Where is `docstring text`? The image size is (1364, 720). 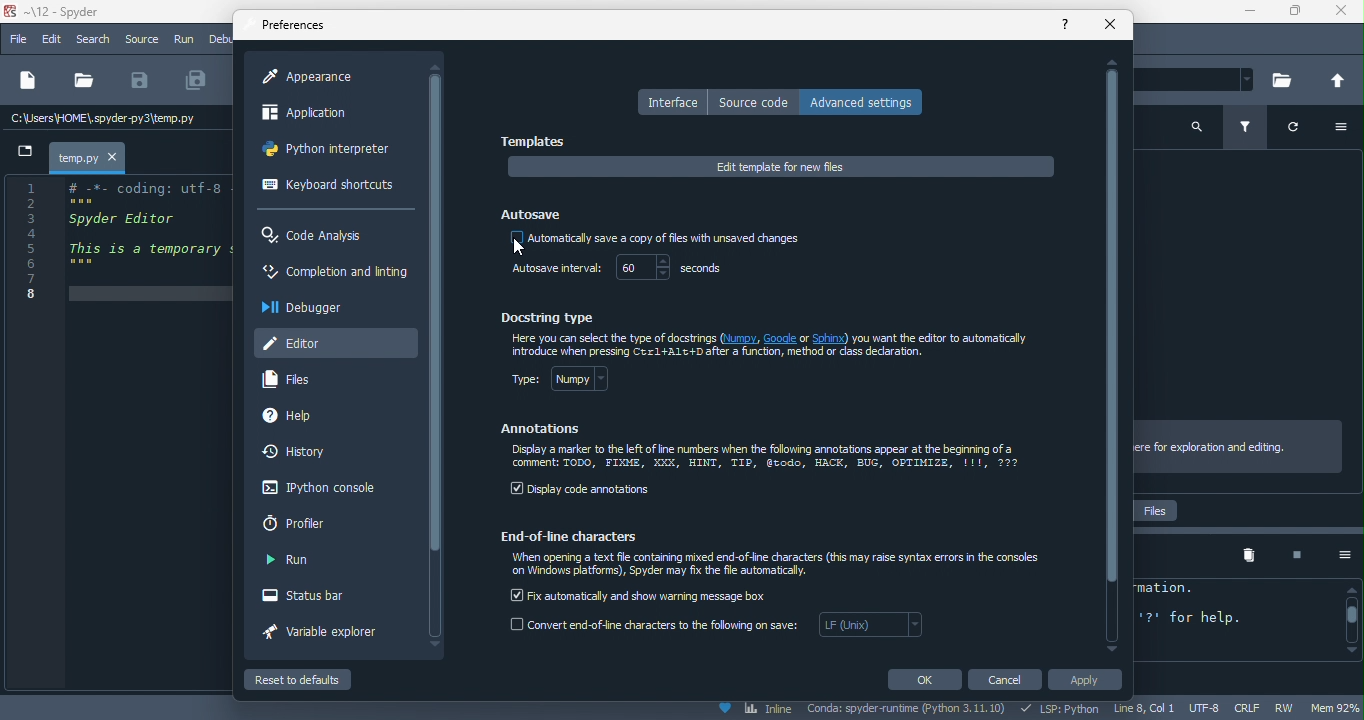
docstring text is located at coordinates (776, 346).